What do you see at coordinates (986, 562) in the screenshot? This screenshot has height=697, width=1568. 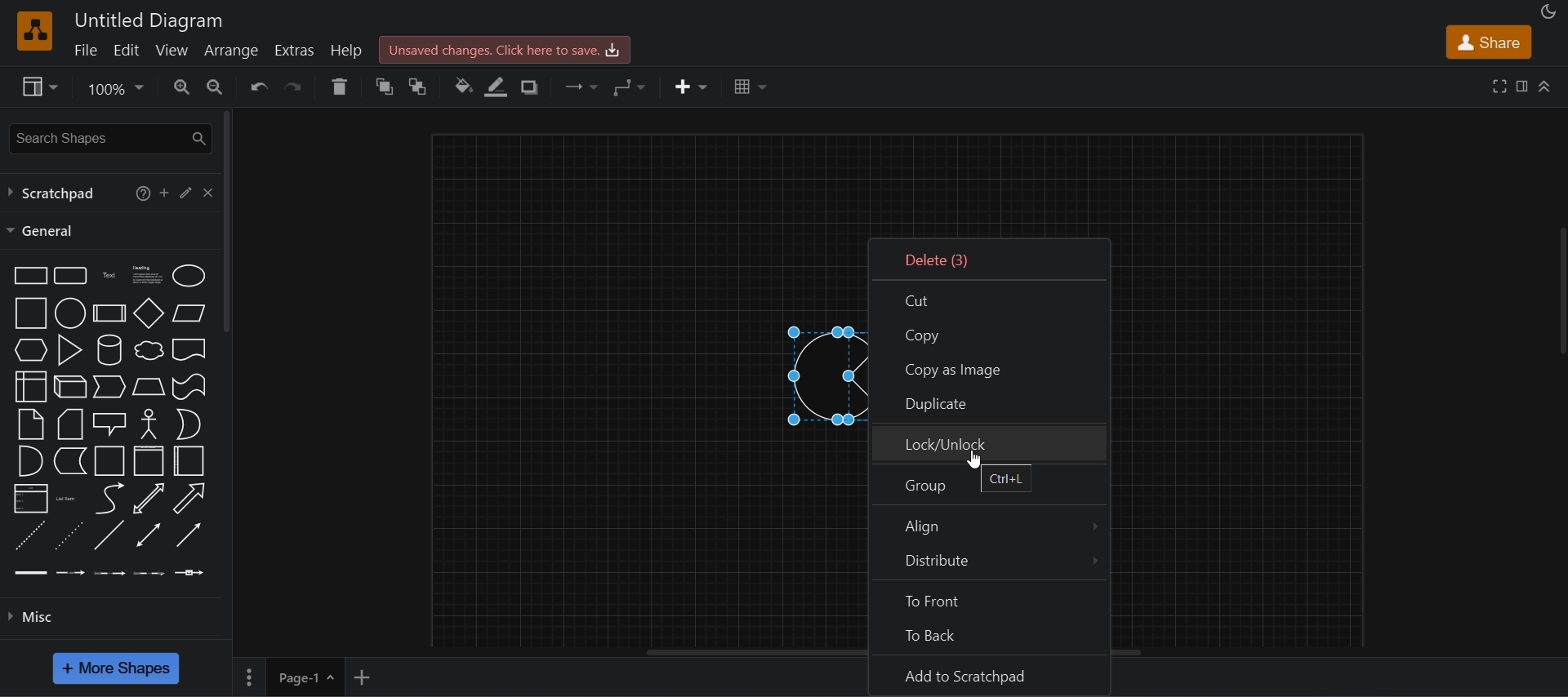 I see `distribute` at bounding box center [986, 562].